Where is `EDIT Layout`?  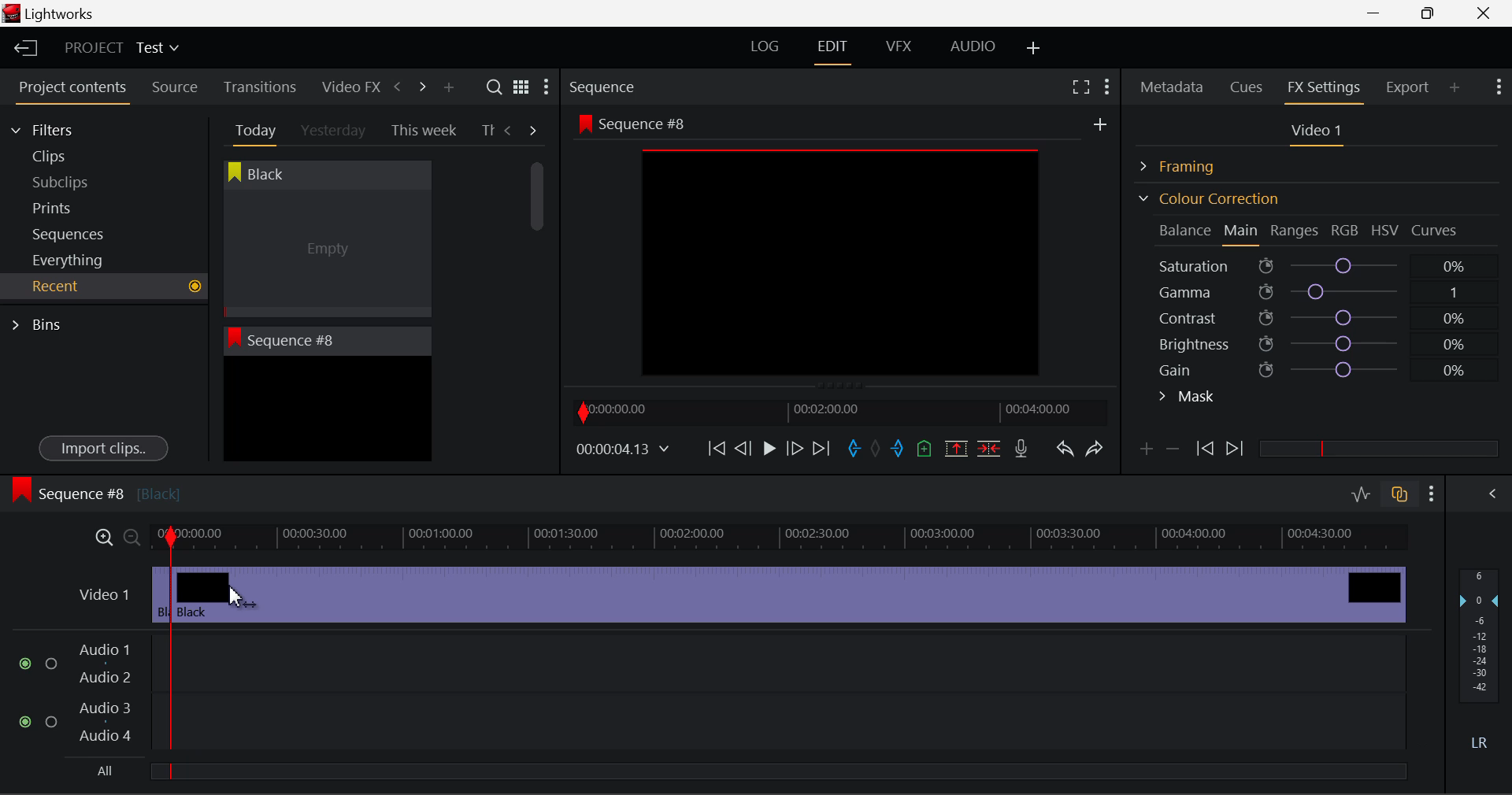
EDIT Layout is located at coordinates (835, 50).